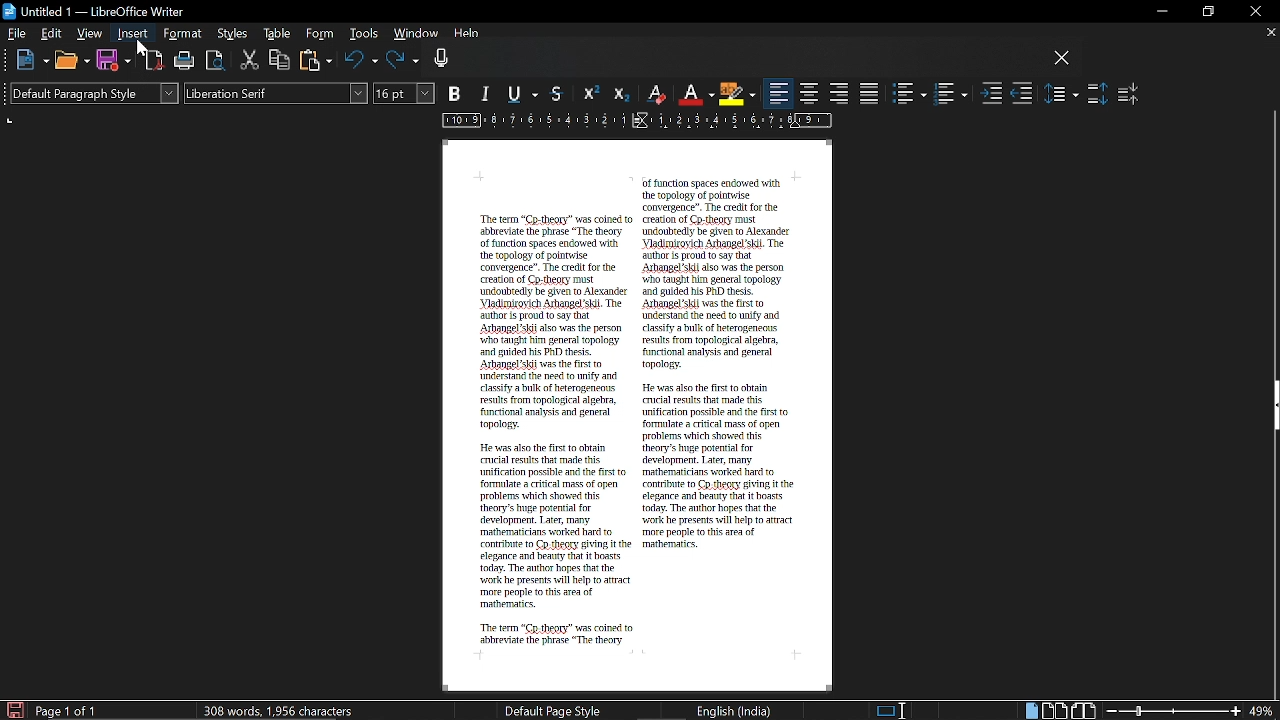  I want to click on Superscript, so click(589, 94).